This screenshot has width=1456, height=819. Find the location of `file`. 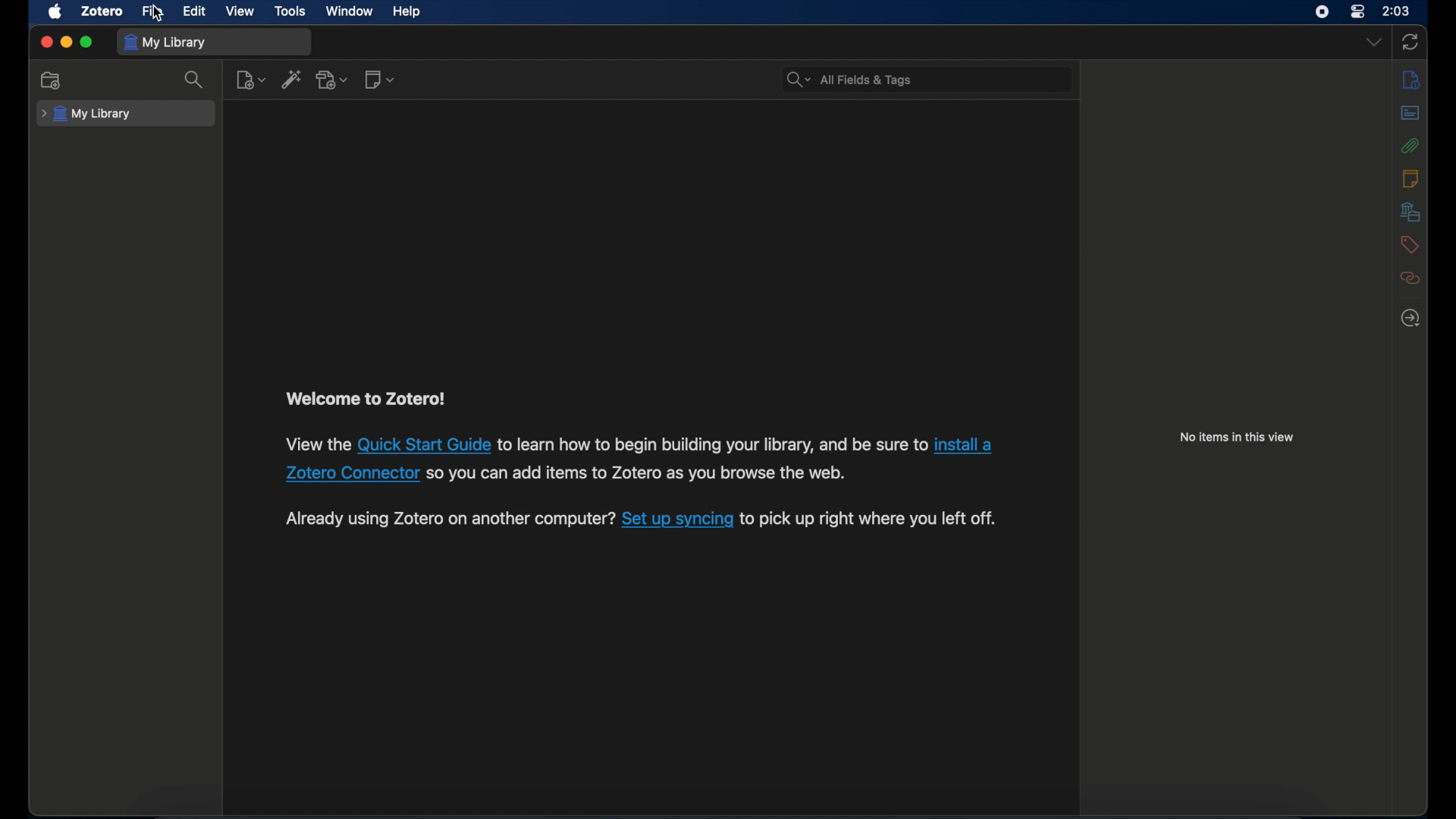

file is located at coordinates (152, 11).